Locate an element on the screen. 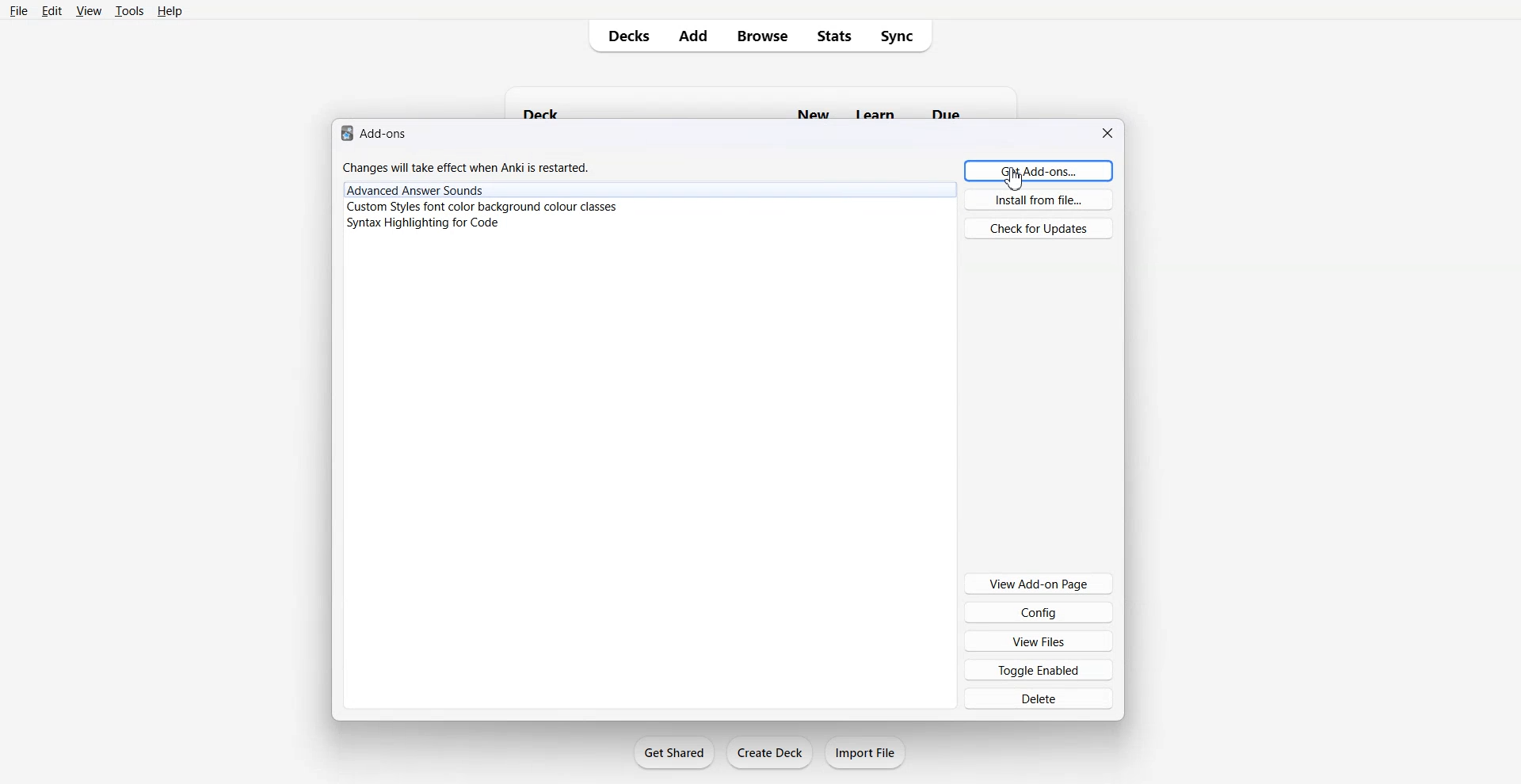  Plugins is located at coordinates (649, 225).